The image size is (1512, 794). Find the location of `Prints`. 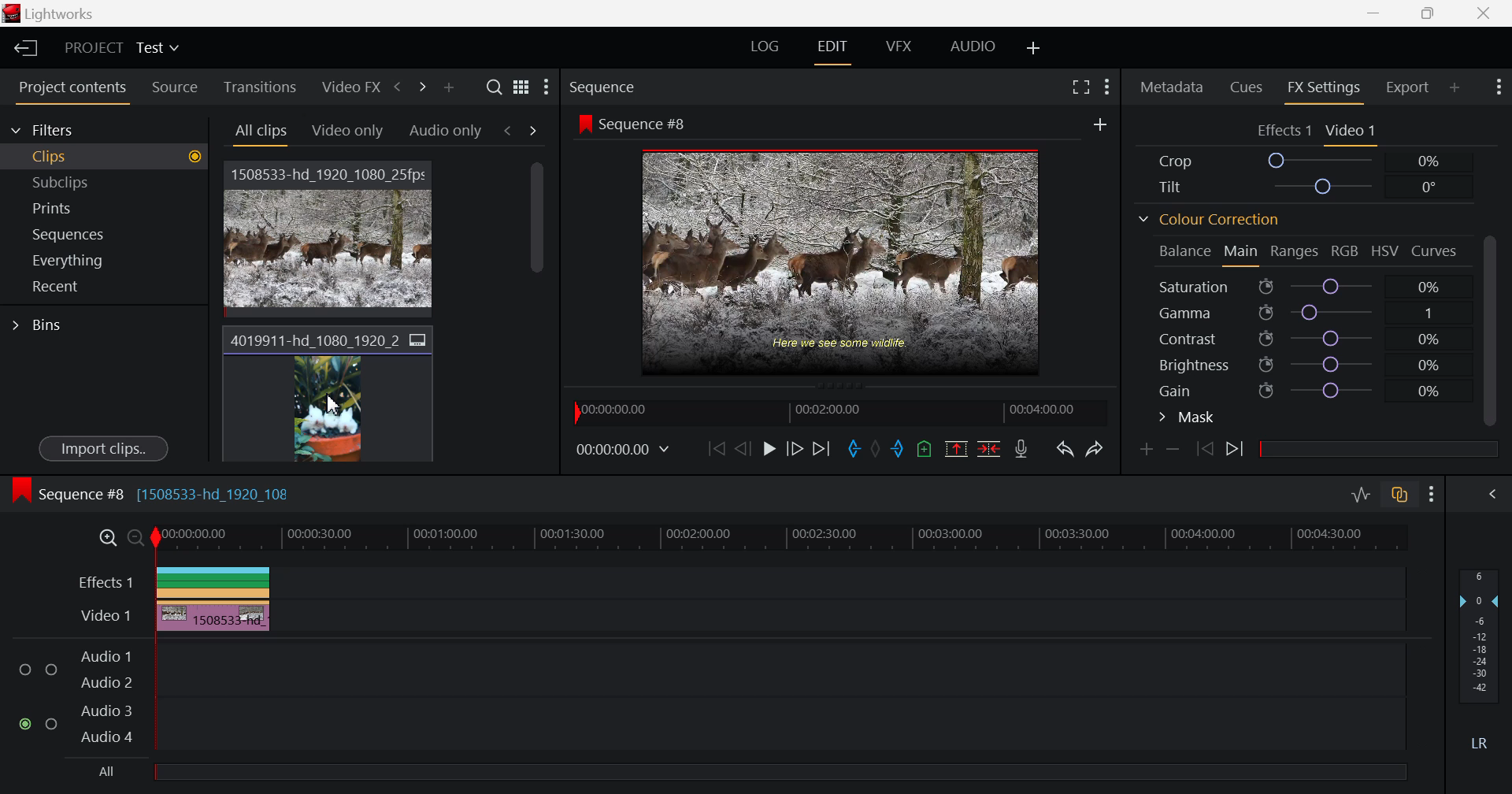

Prints is located at coordinates (103, 207).